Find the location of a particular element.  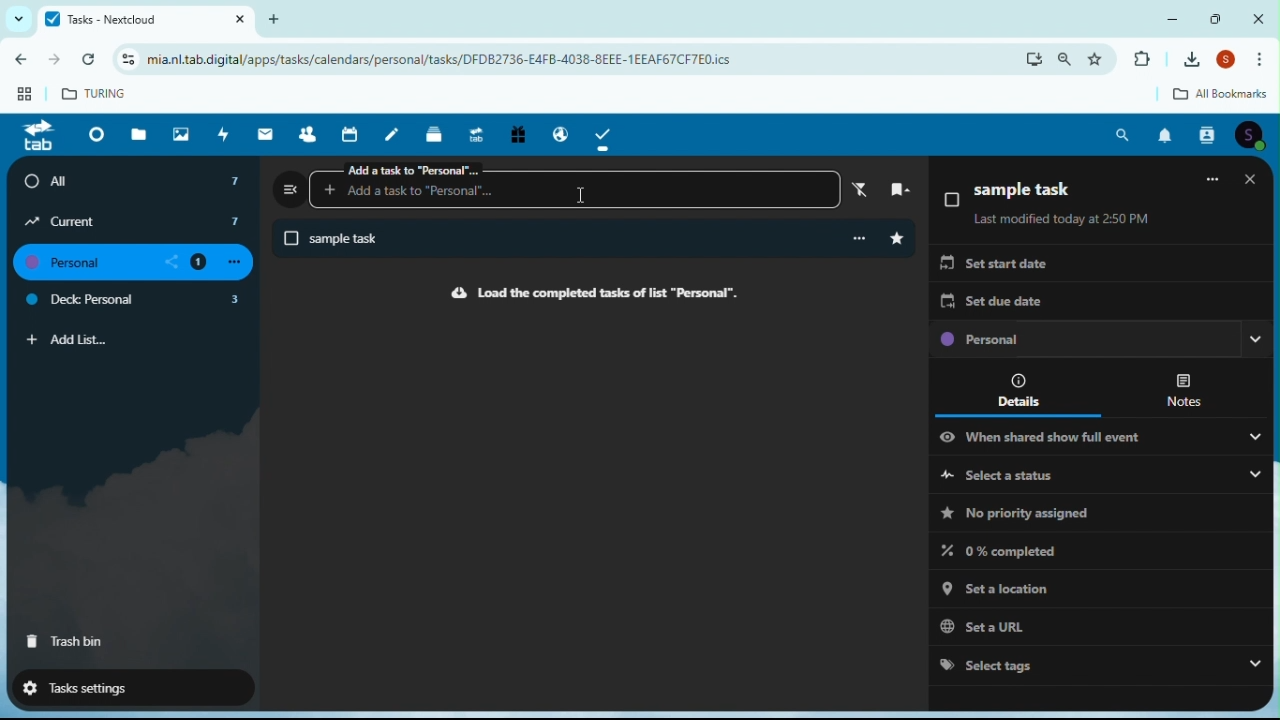

Task name is located at coordinates (1011, 194).